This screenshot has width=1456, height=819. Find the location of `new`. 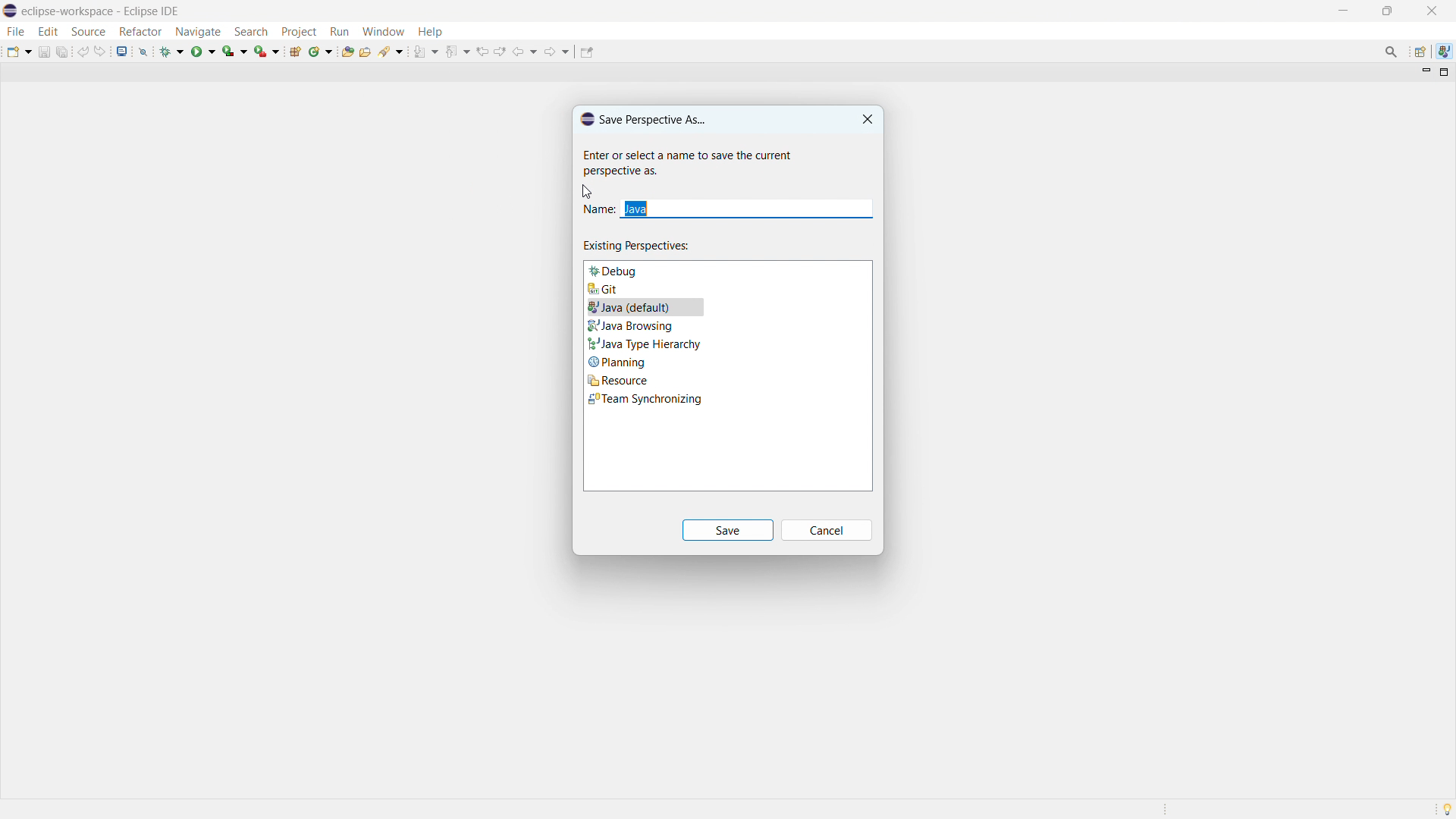

new is located at coordinates (17, 51).